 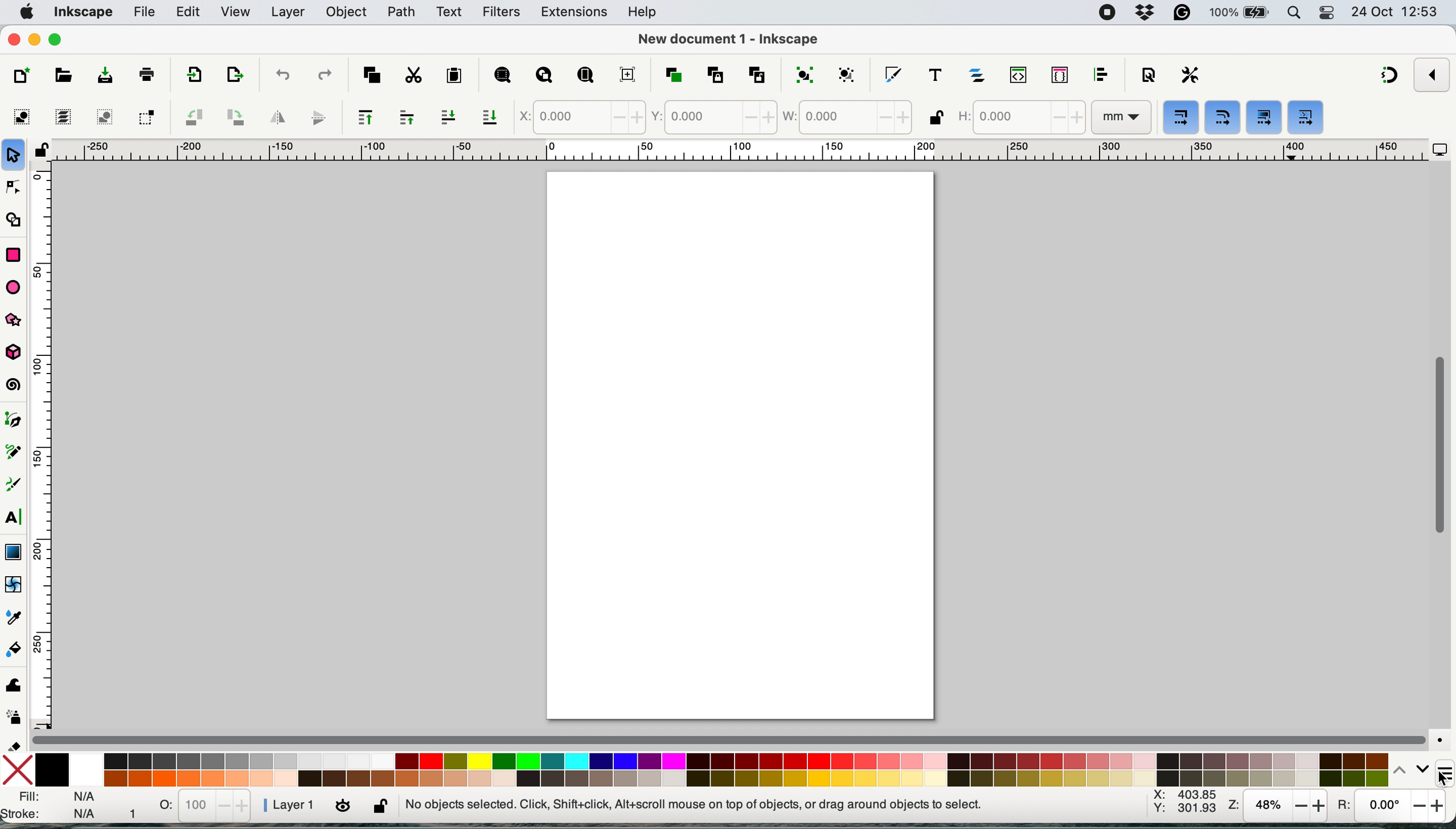 What do you see at coordinates (1223, 118) in the screenshot?
I see `when scaling rectangles scale the radii of rounded corners` at bounding box center [1223, 118].